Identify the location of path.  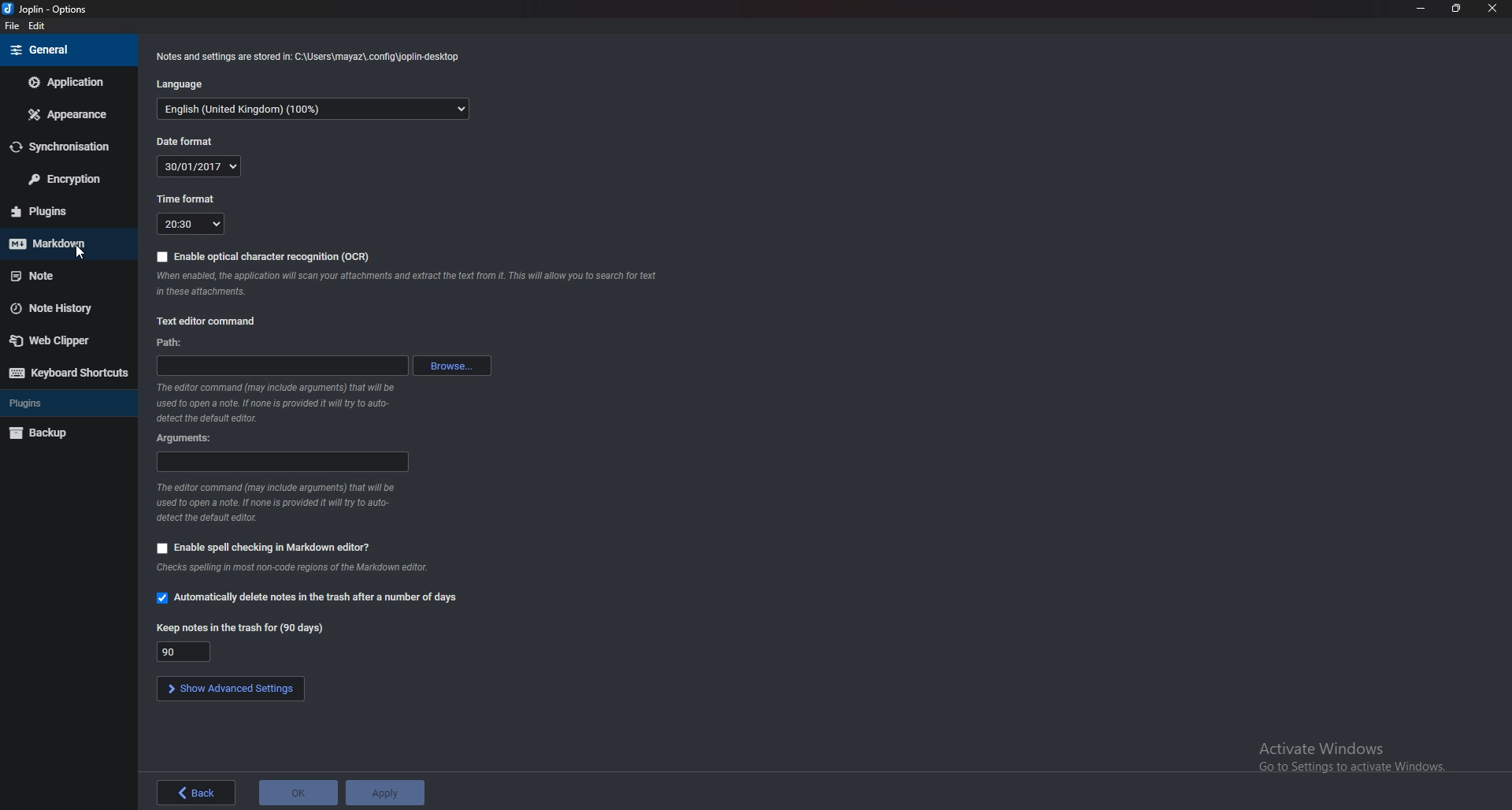
(283, 367).